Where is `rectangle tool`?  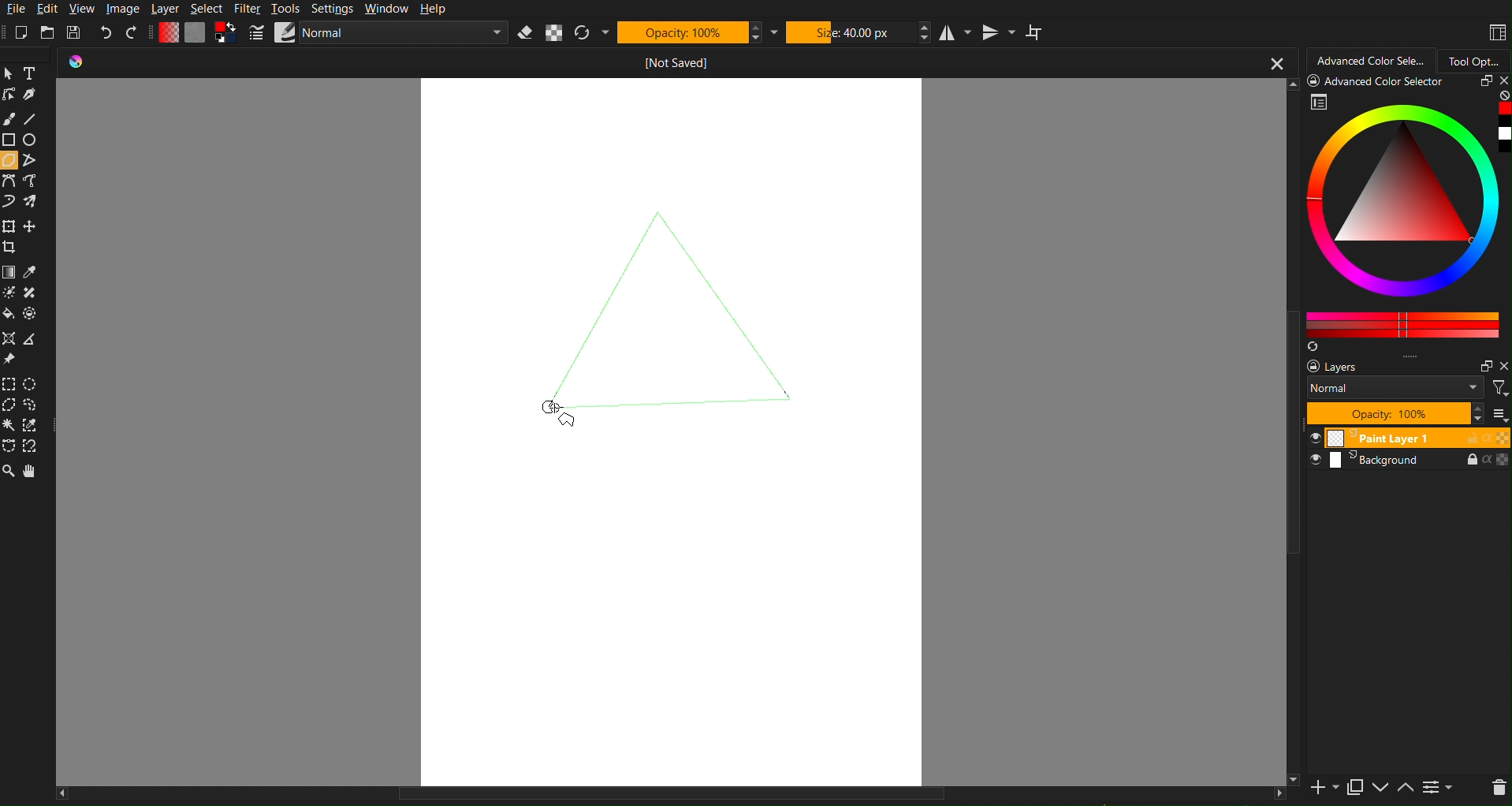
rectangle tool is located at coordinates (9, 140).